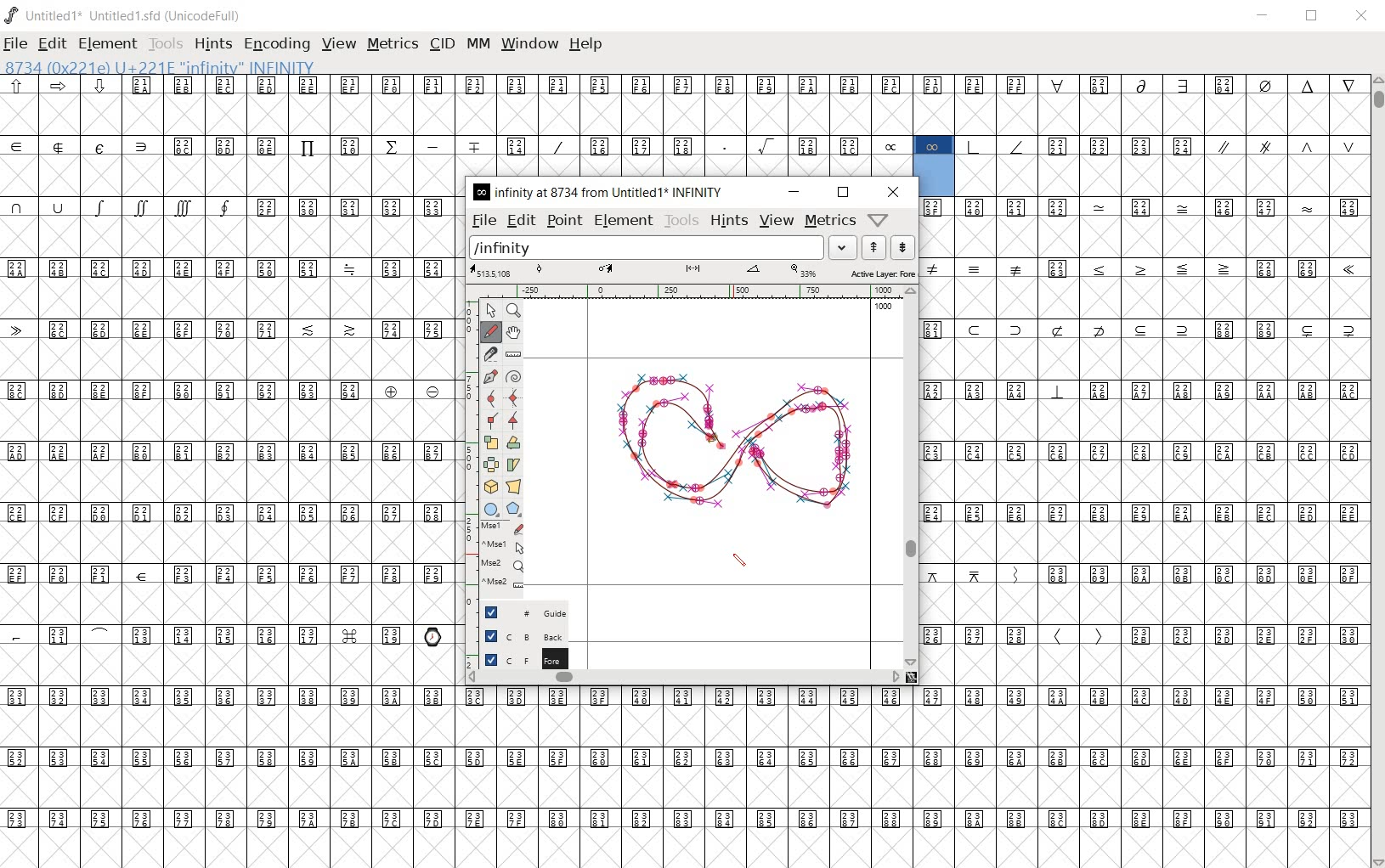 The image size is (1385, 868). I want to click on Unicode code points, so click(978, 391).